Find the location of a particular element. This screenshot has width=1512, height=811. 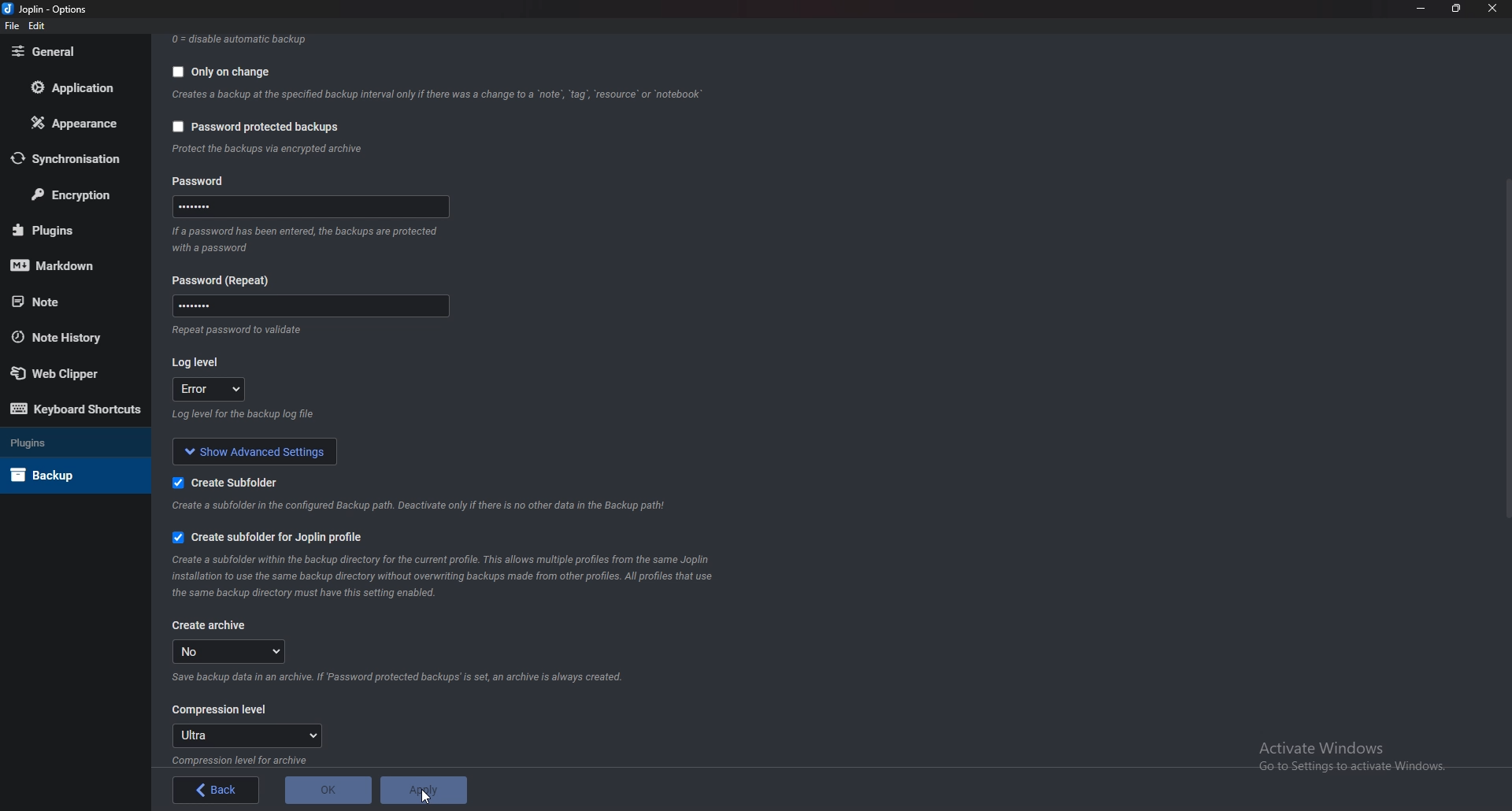

Minimize is located at coordinates (1423, 8).